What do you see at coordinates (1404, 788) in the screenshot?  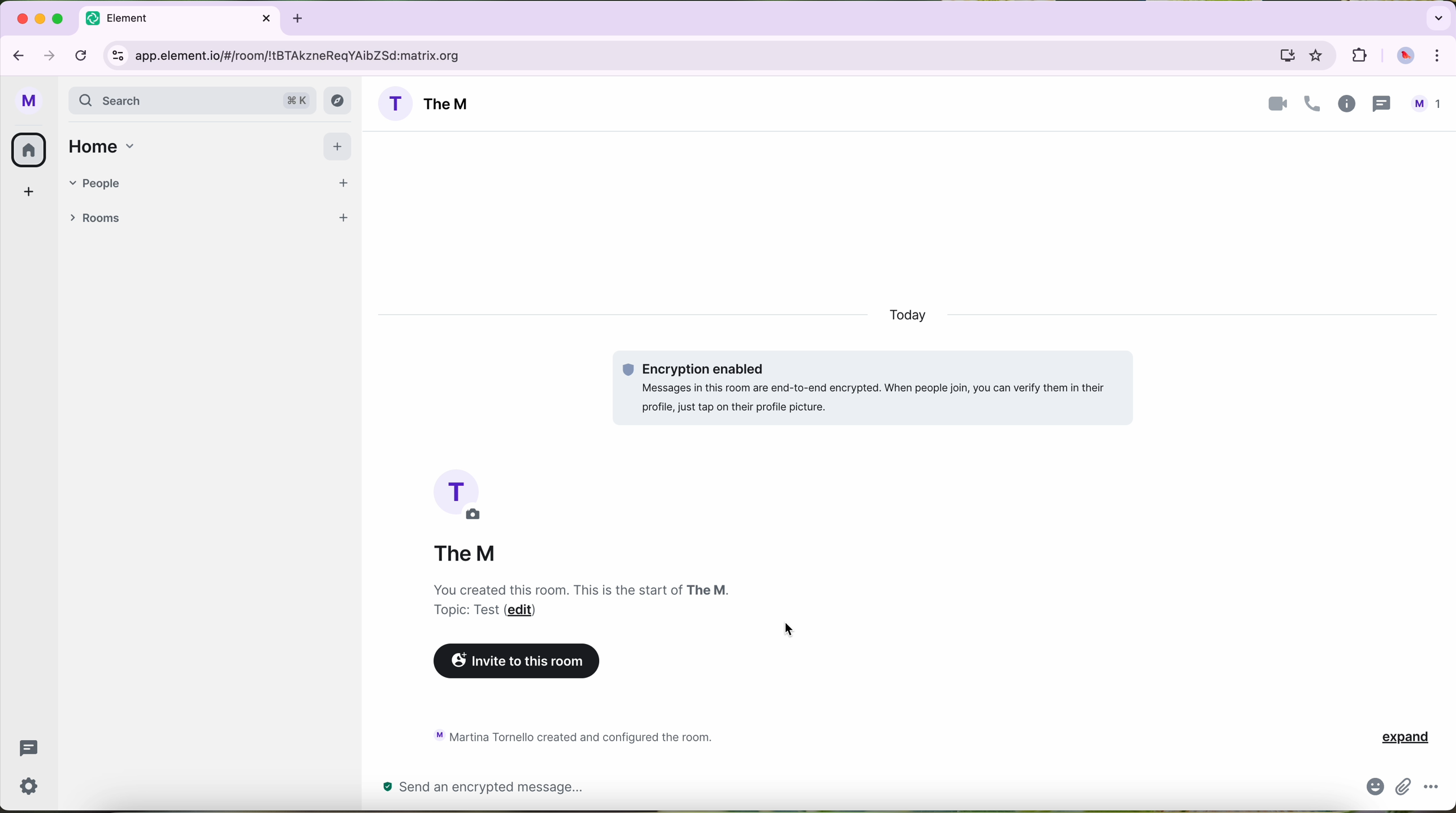 I see `attach file` at bounding box center [1404, 788].